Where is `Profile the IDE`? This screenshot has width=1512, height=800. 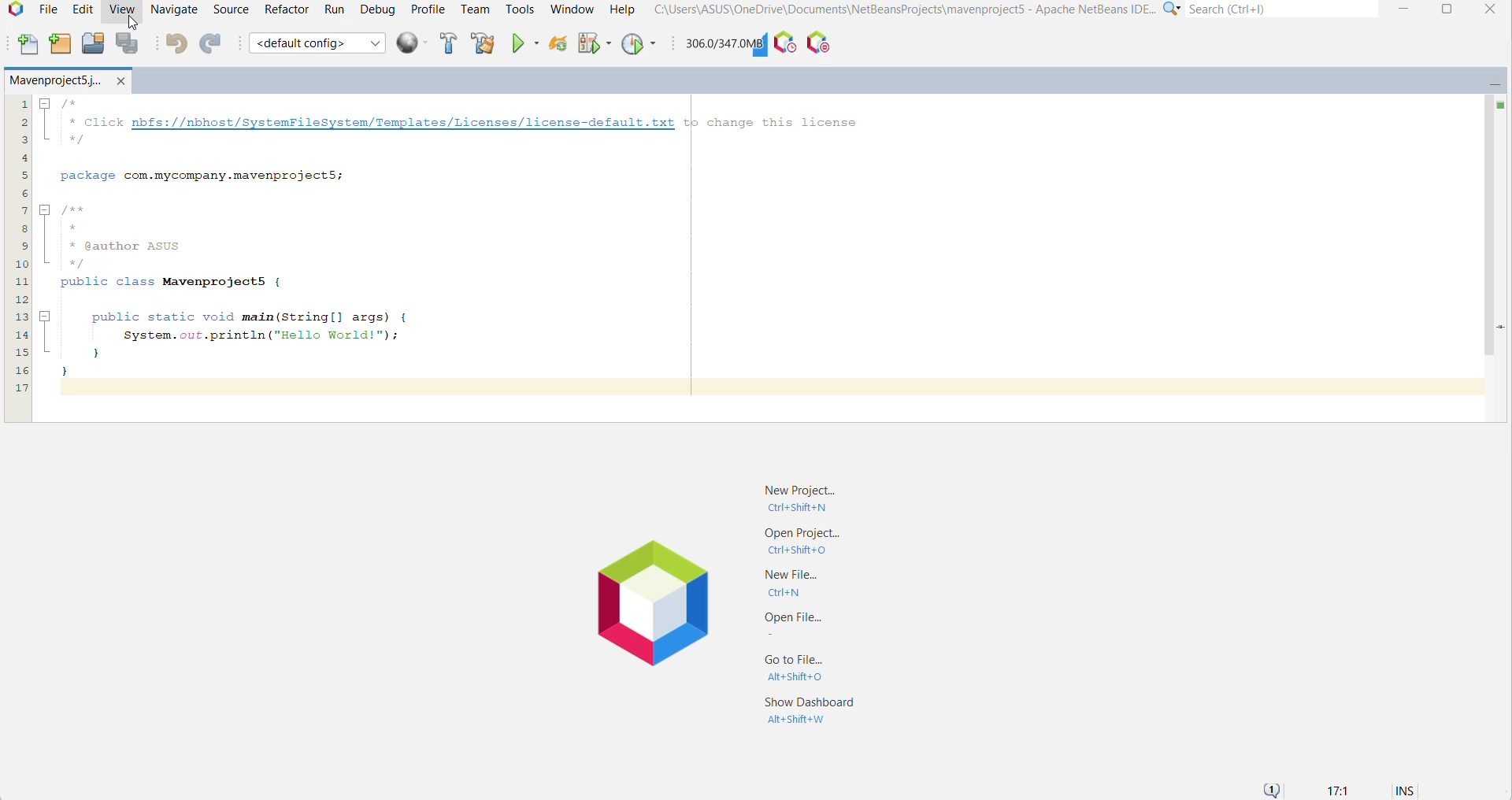 Profile the IDE is located at coordinates (785, 43).